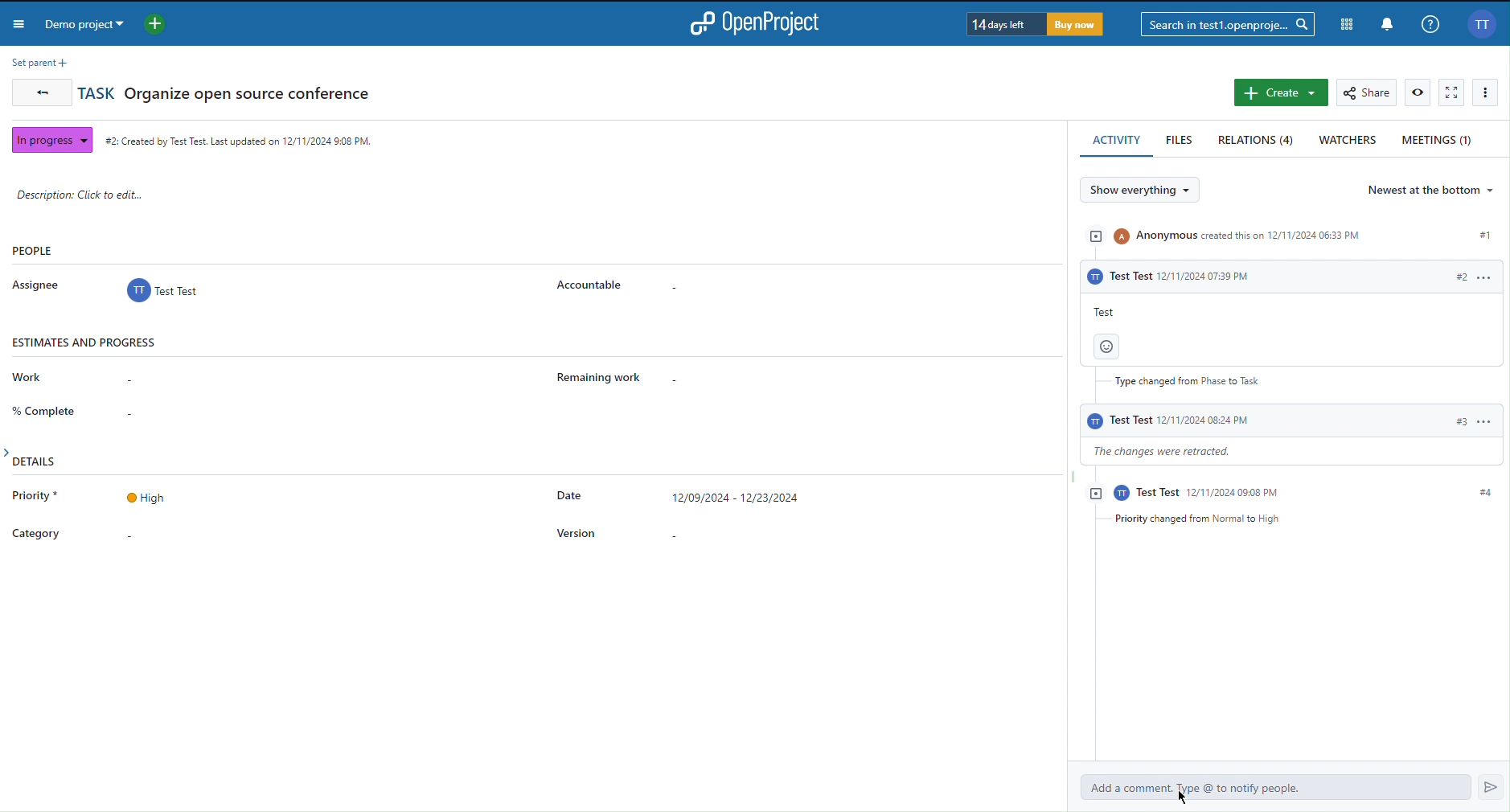 The height and width of the screenshot is (812, 1510). I want to click on Set Parent, so click(36, 62).